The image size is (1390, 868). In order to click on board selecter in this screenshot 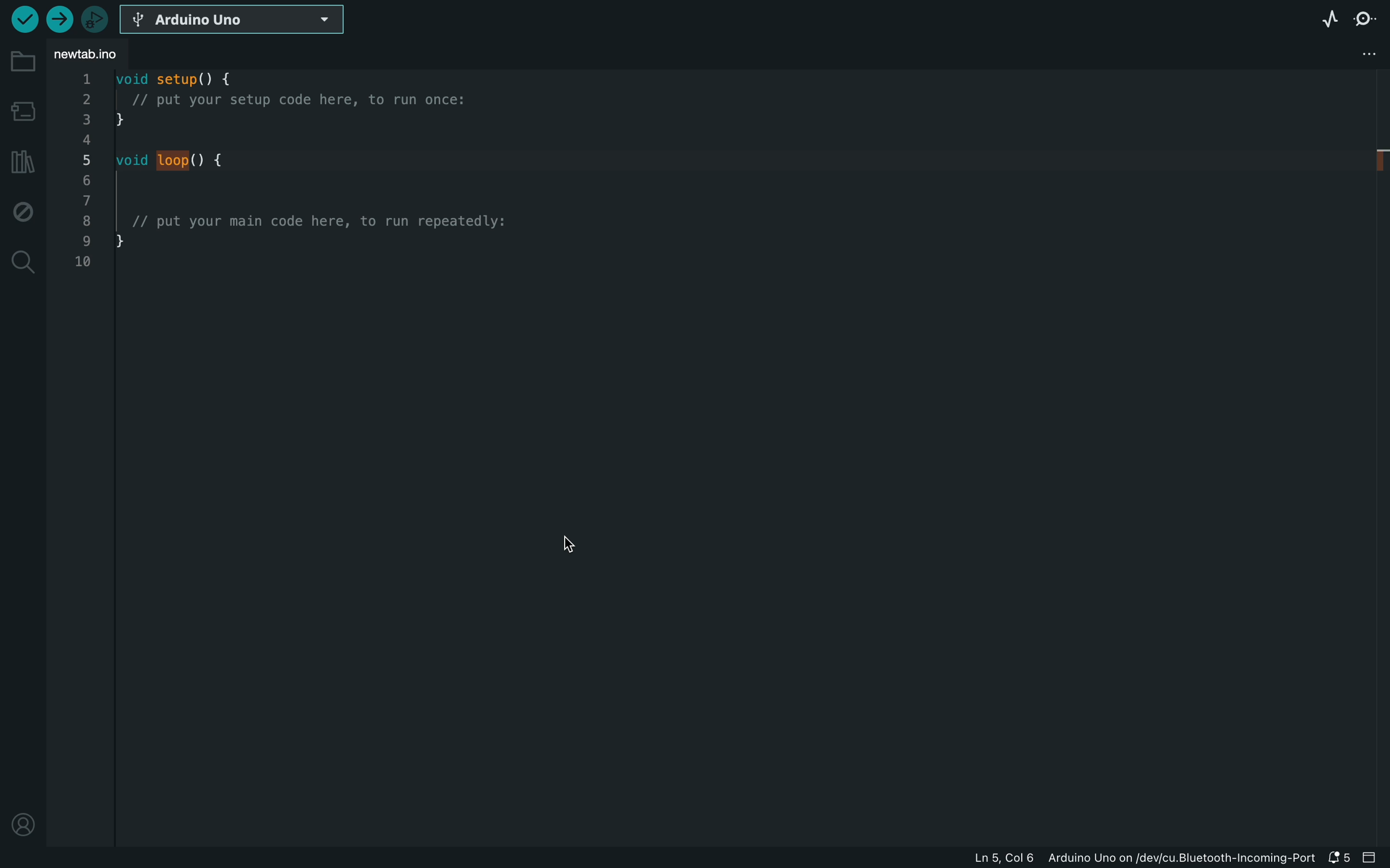, I will do `click(234, 20)`.